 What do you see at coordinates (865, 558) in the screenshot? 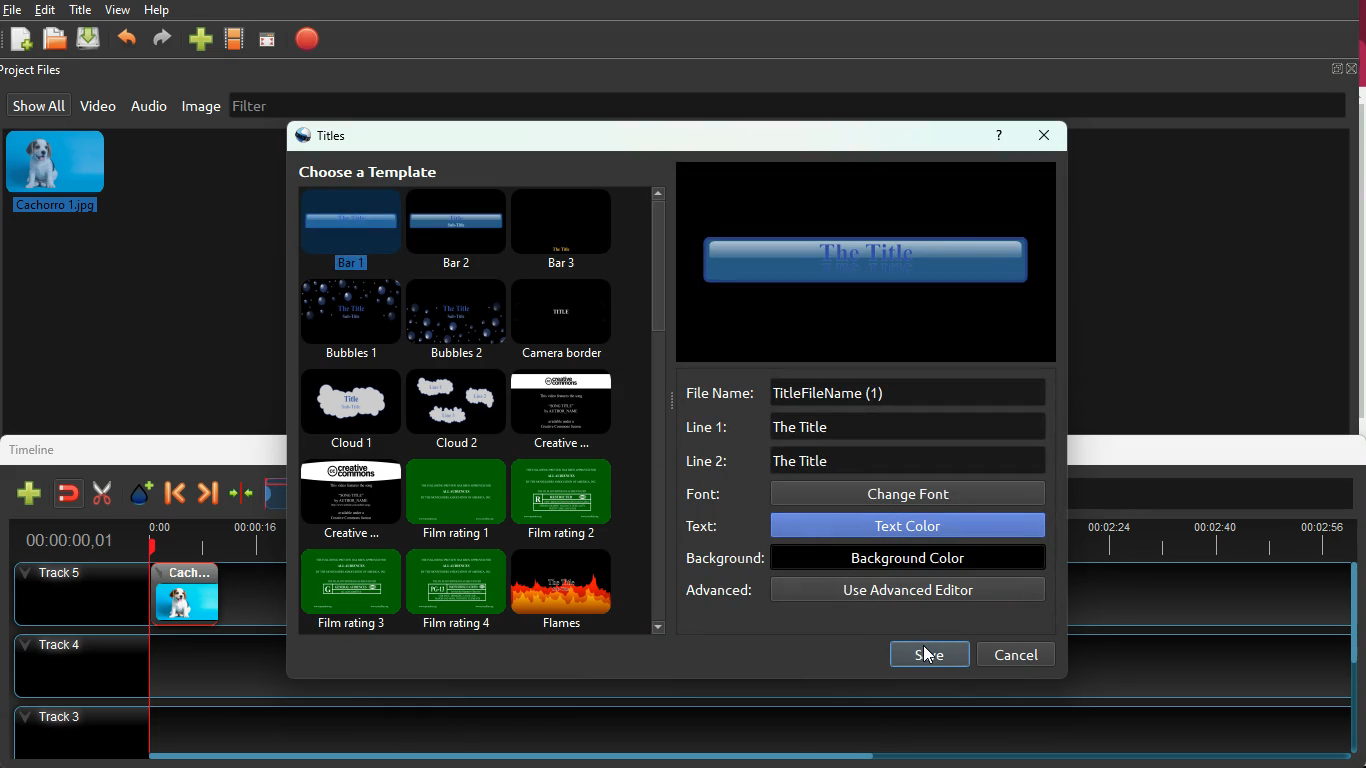
I see `background` at bounding box center [865, 558].